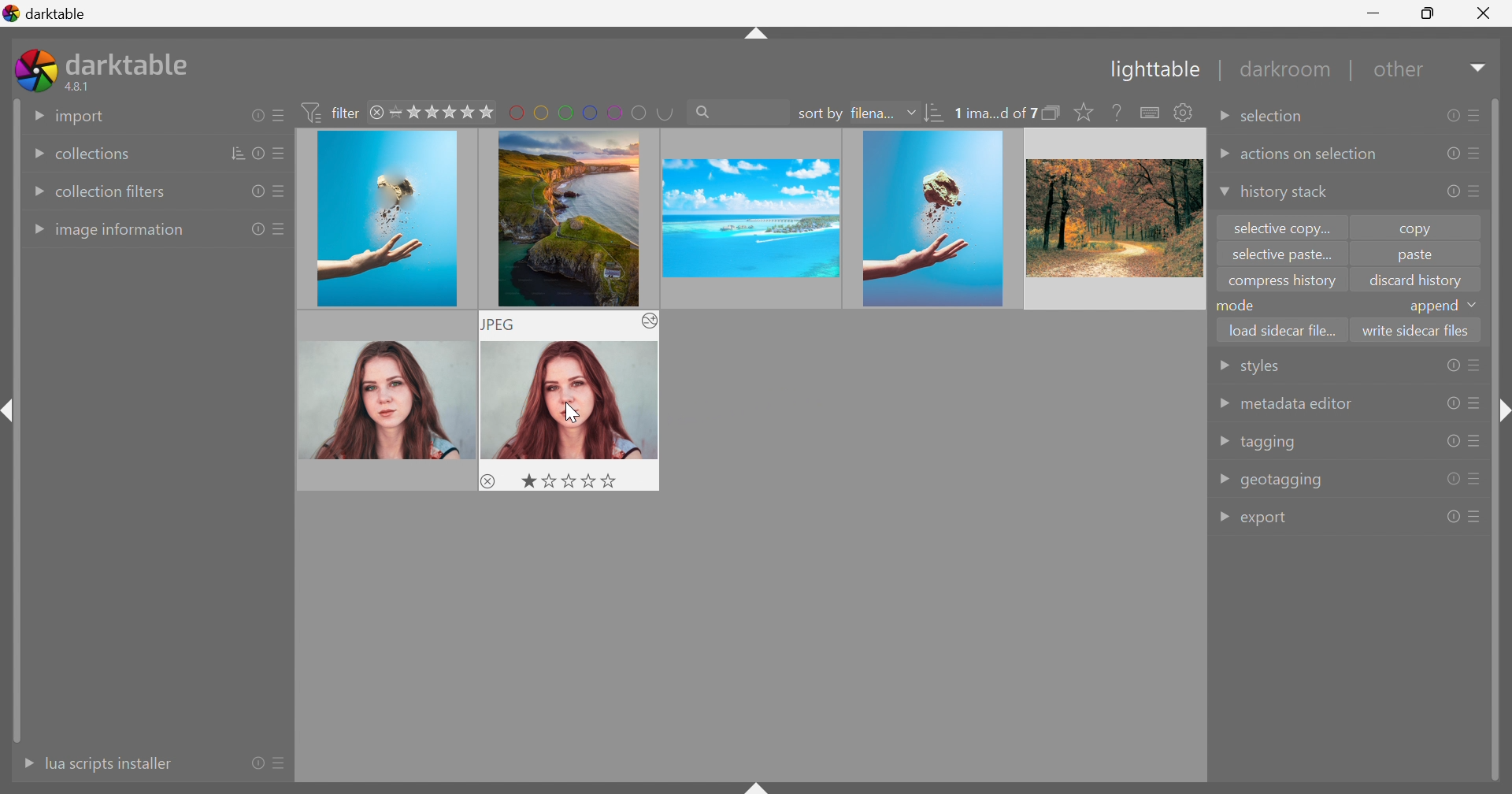 The height and width of the screenshot is (794, 1512). Describe the element at coordinates (650, 322) in the screenshot. I see `More options` at that location.